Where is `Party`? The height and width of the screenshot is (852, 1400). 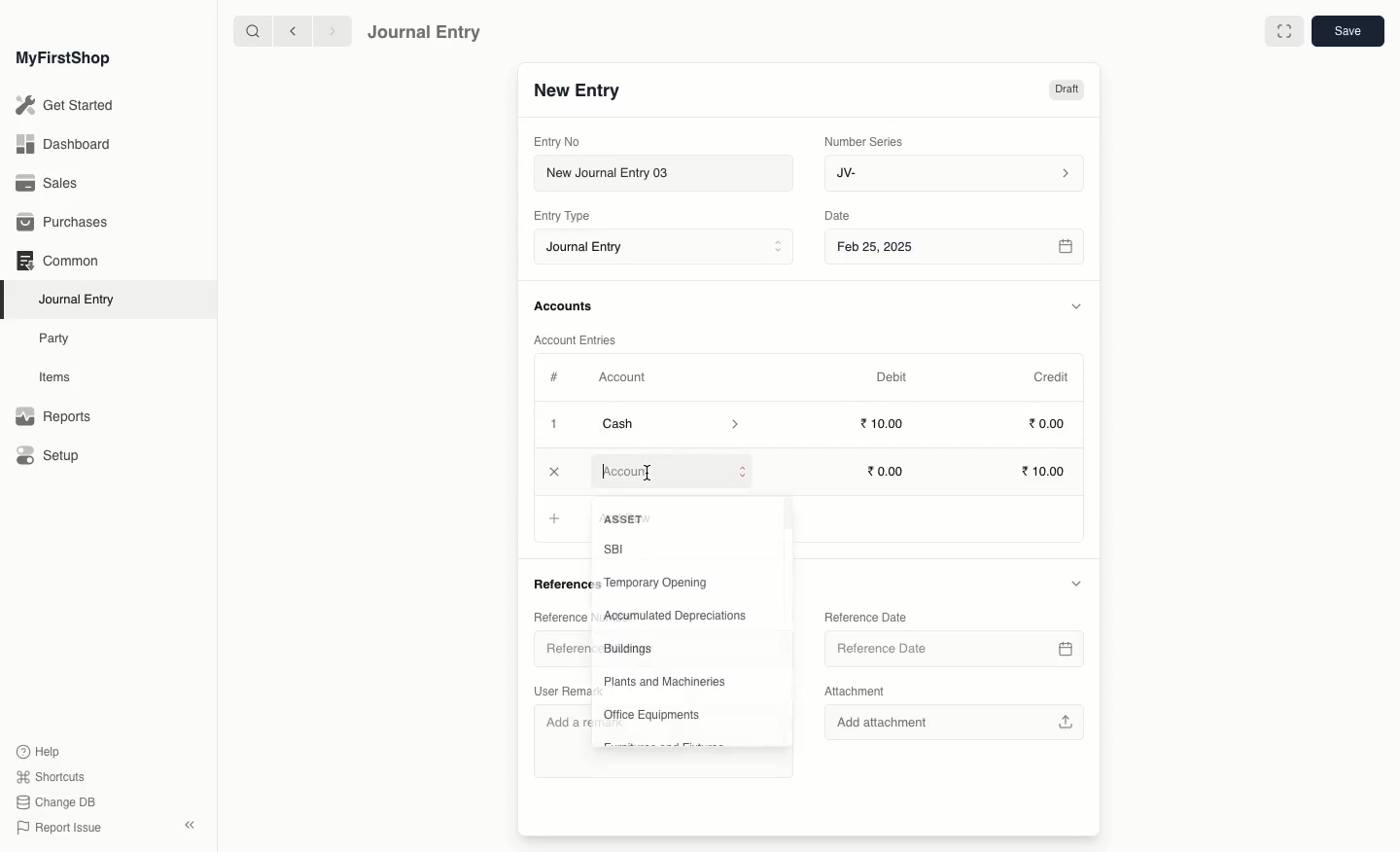 Party is located at coordinates (55, 337).